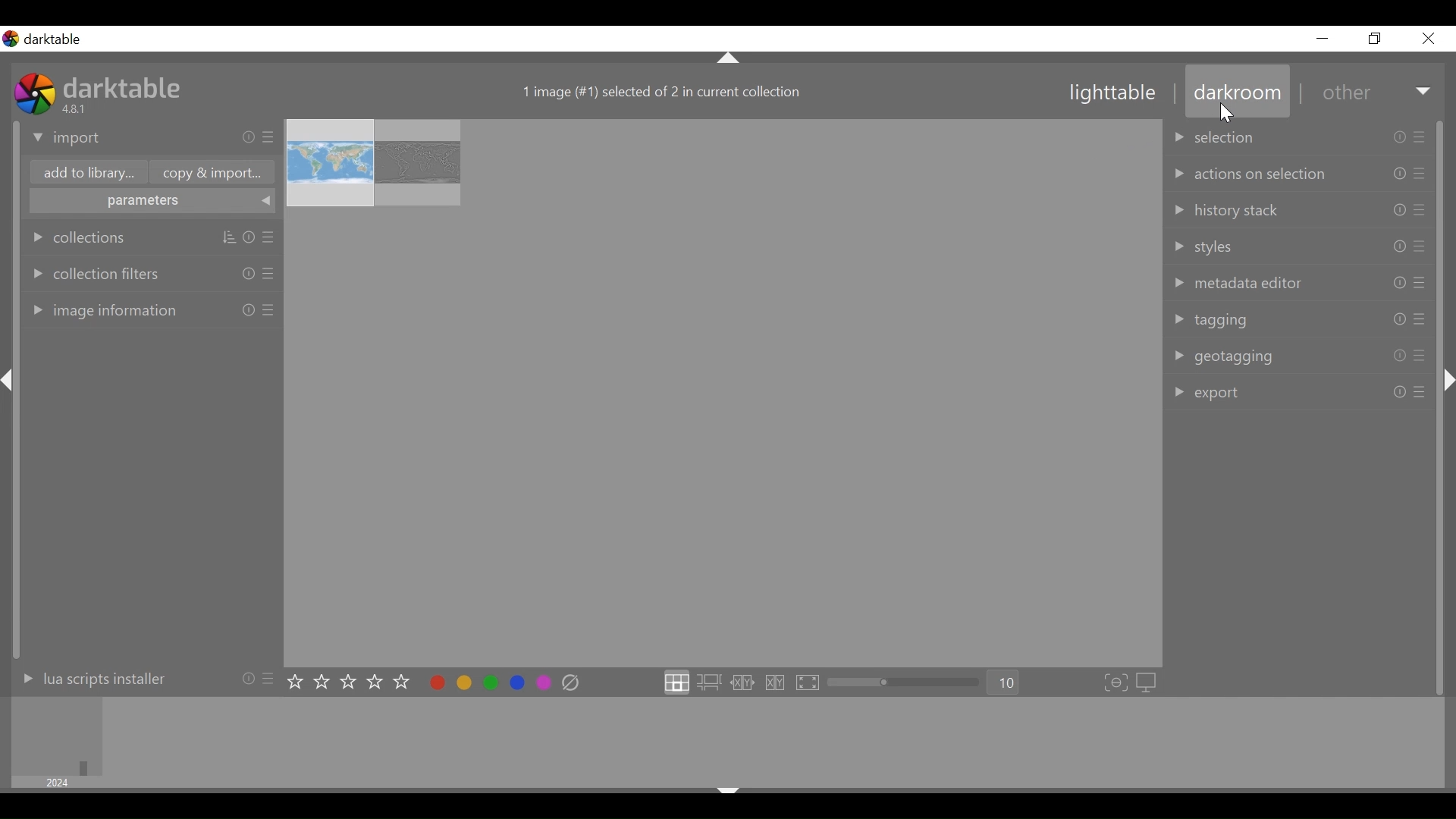 This screenshot has width=1456, height=819. I want to click on add to  library, so click(89, 173).